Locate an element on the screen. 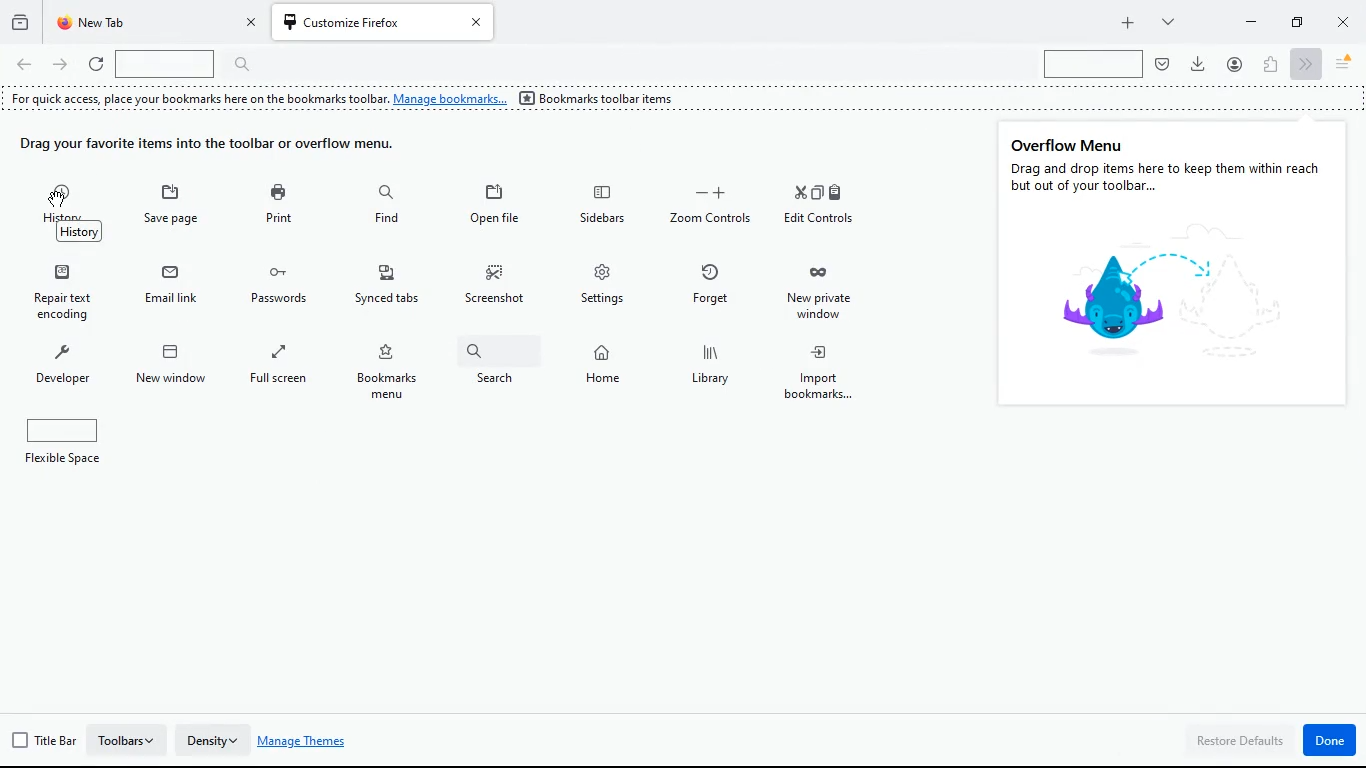 The height and width of the screenshot is (768, 1366). Cursor is located at coordinates (58, 200).